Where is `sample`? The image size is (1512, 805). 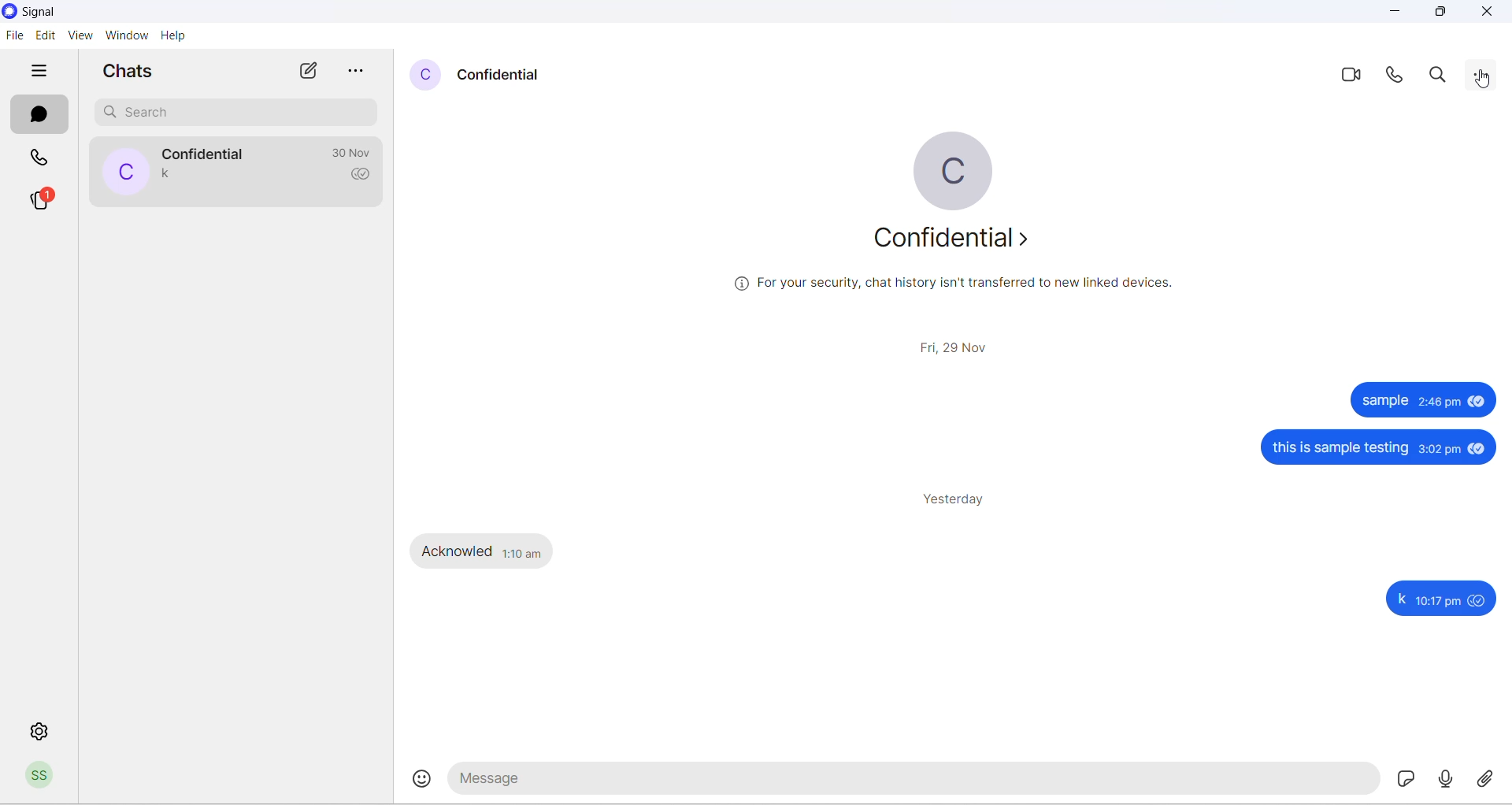
sample is located at coordinates (1383, 401).